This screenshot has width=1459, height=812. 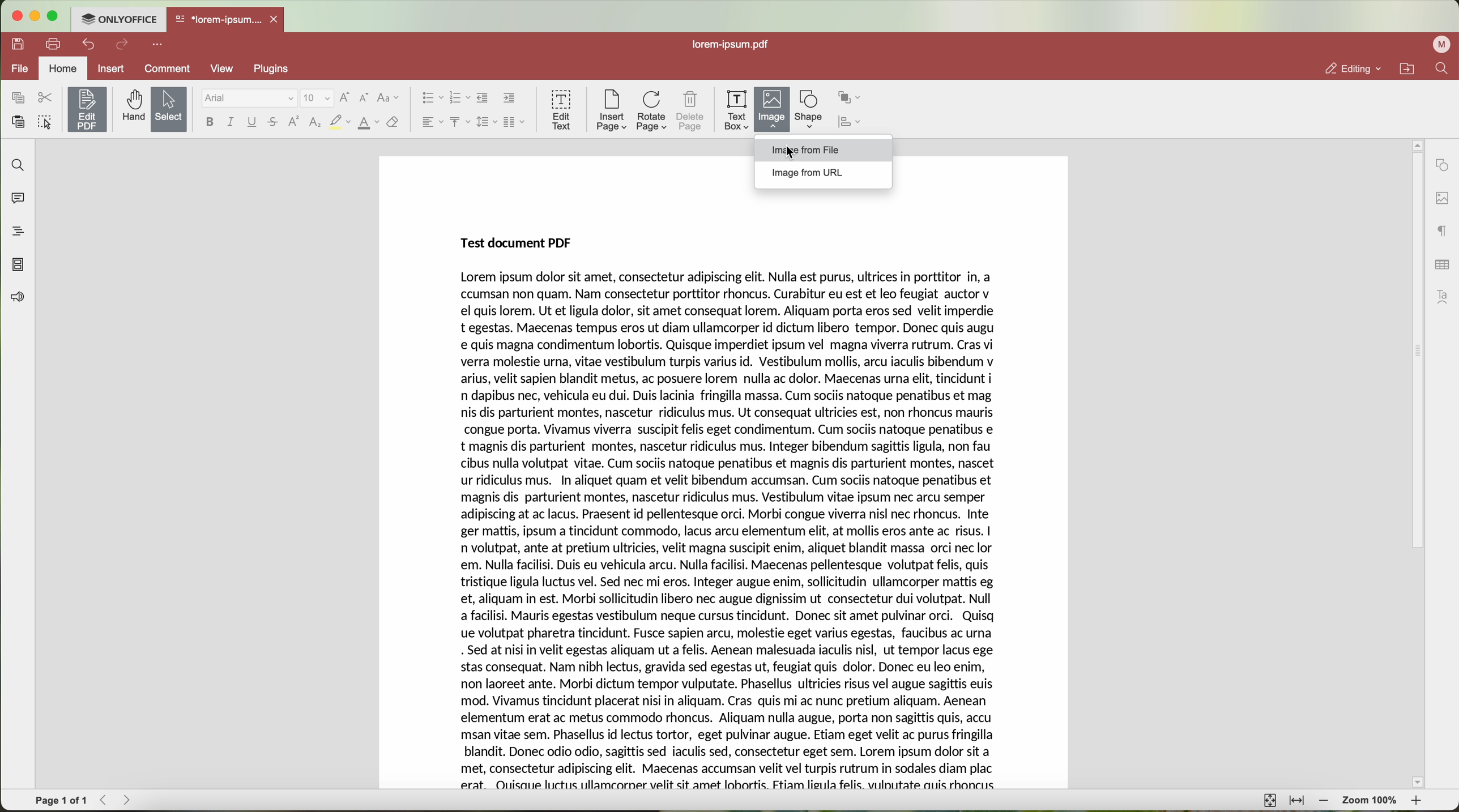 What do you see at coordinates (737, 110) in the screenshot?
I see `text box` at bounding box center [737, 110].